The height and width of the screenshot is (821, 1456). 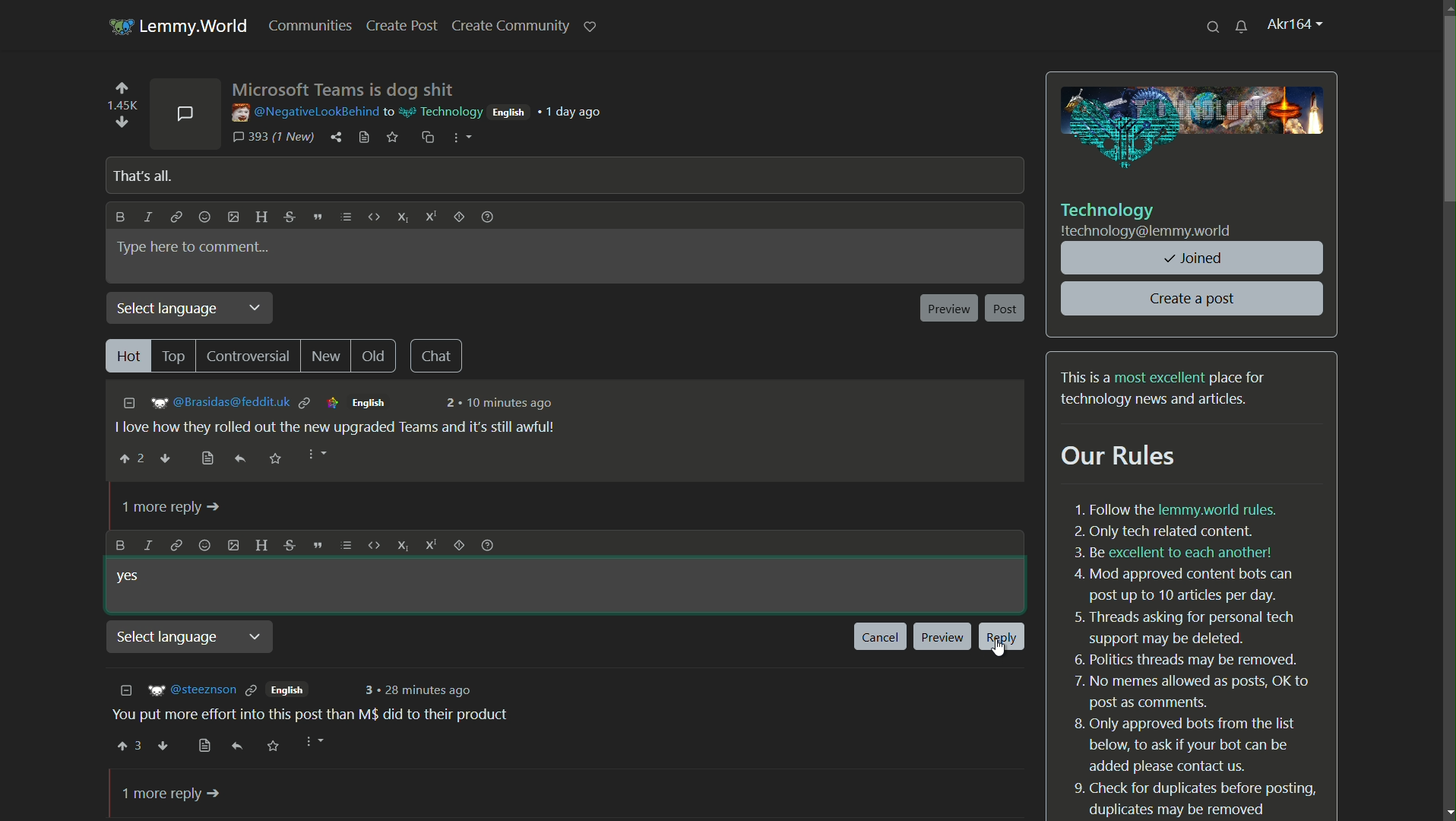 What do you see at coordinates (486, 219) in the screenshot?
I see `formatting help` at bounding box center [486, 219].